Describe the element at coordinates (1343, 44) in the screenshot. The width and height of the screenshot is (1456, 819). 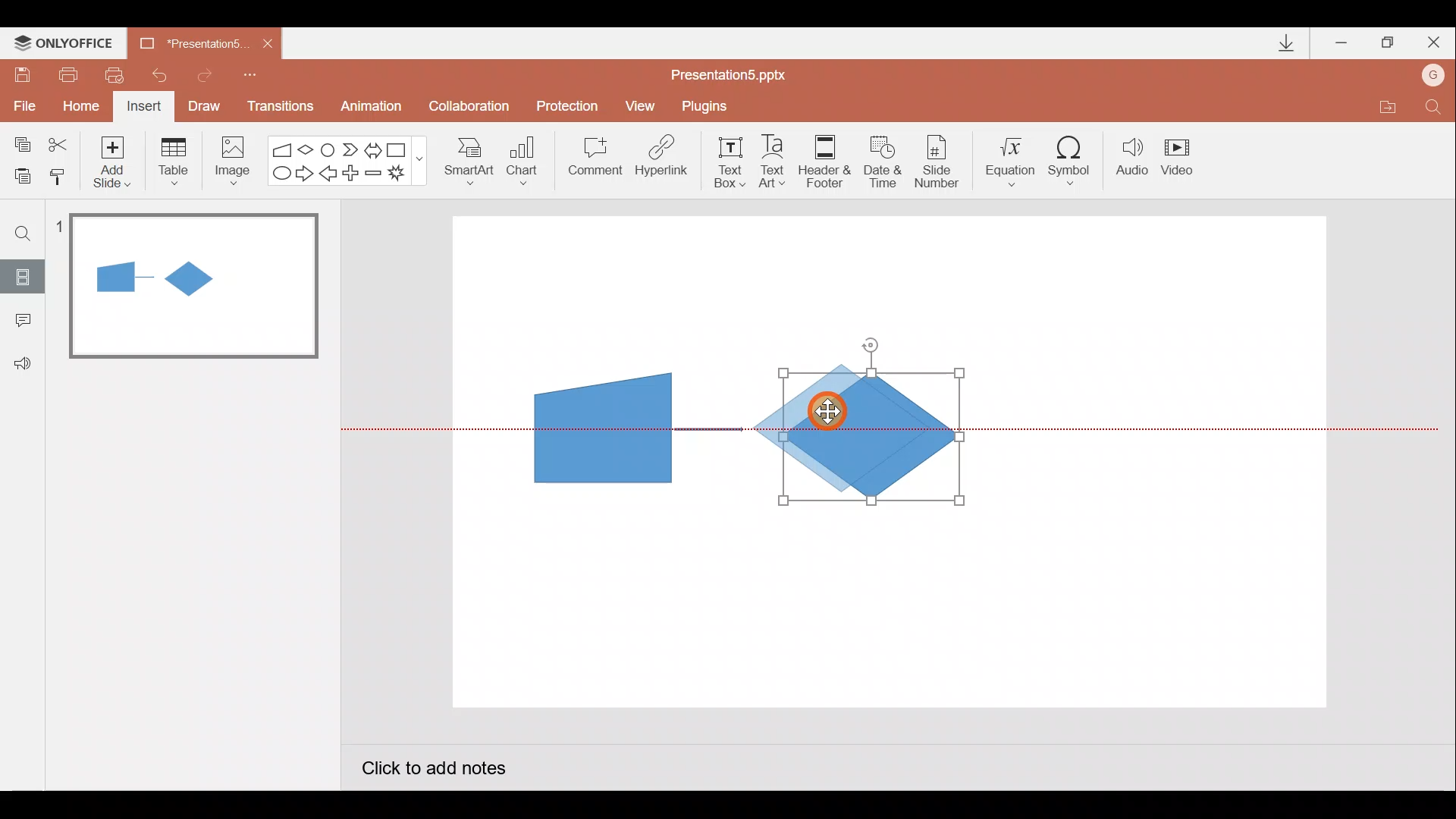
I see `Minimize` at that location.